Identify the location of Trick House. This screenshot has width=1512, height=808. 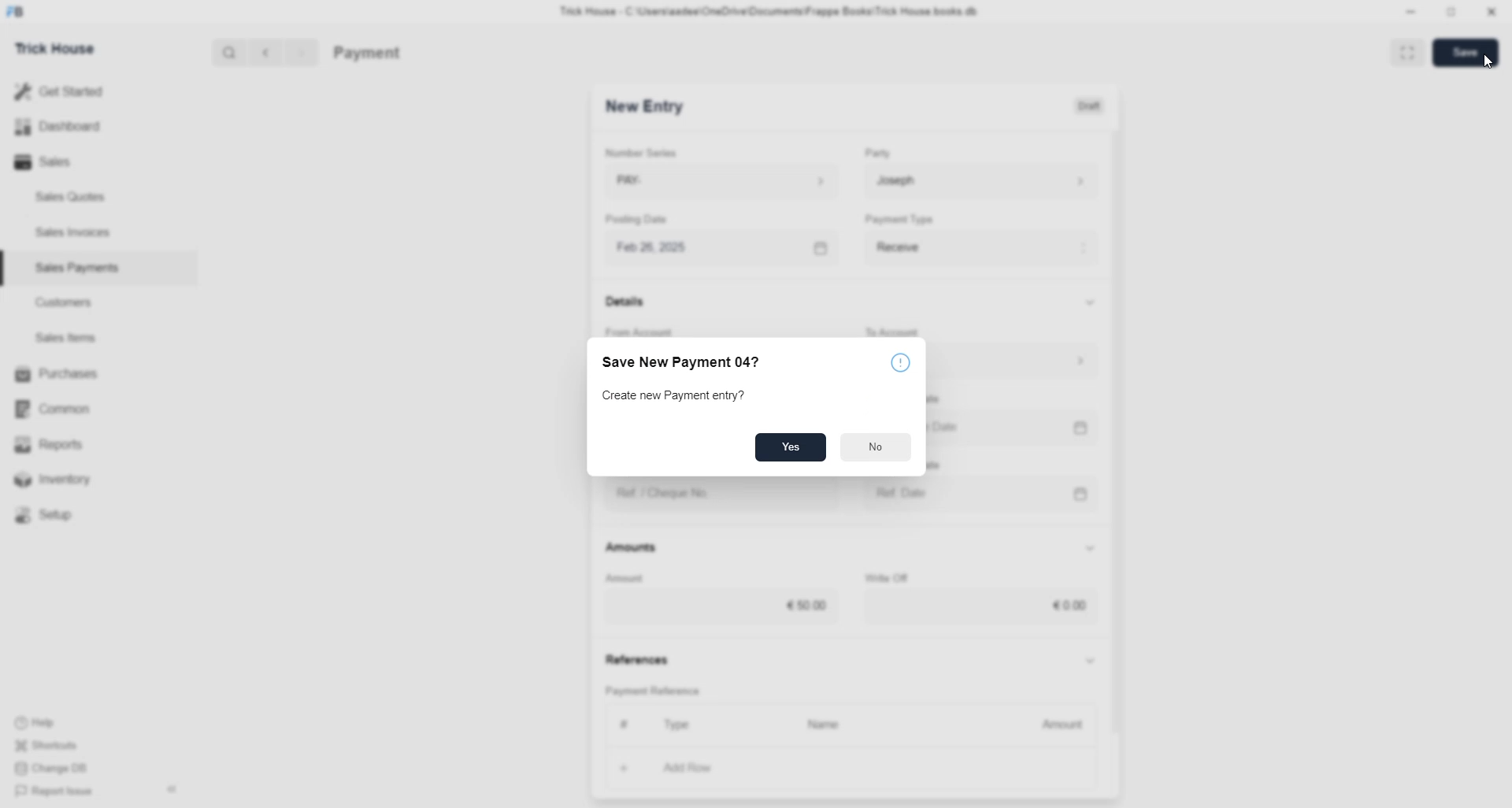
(54, 50).